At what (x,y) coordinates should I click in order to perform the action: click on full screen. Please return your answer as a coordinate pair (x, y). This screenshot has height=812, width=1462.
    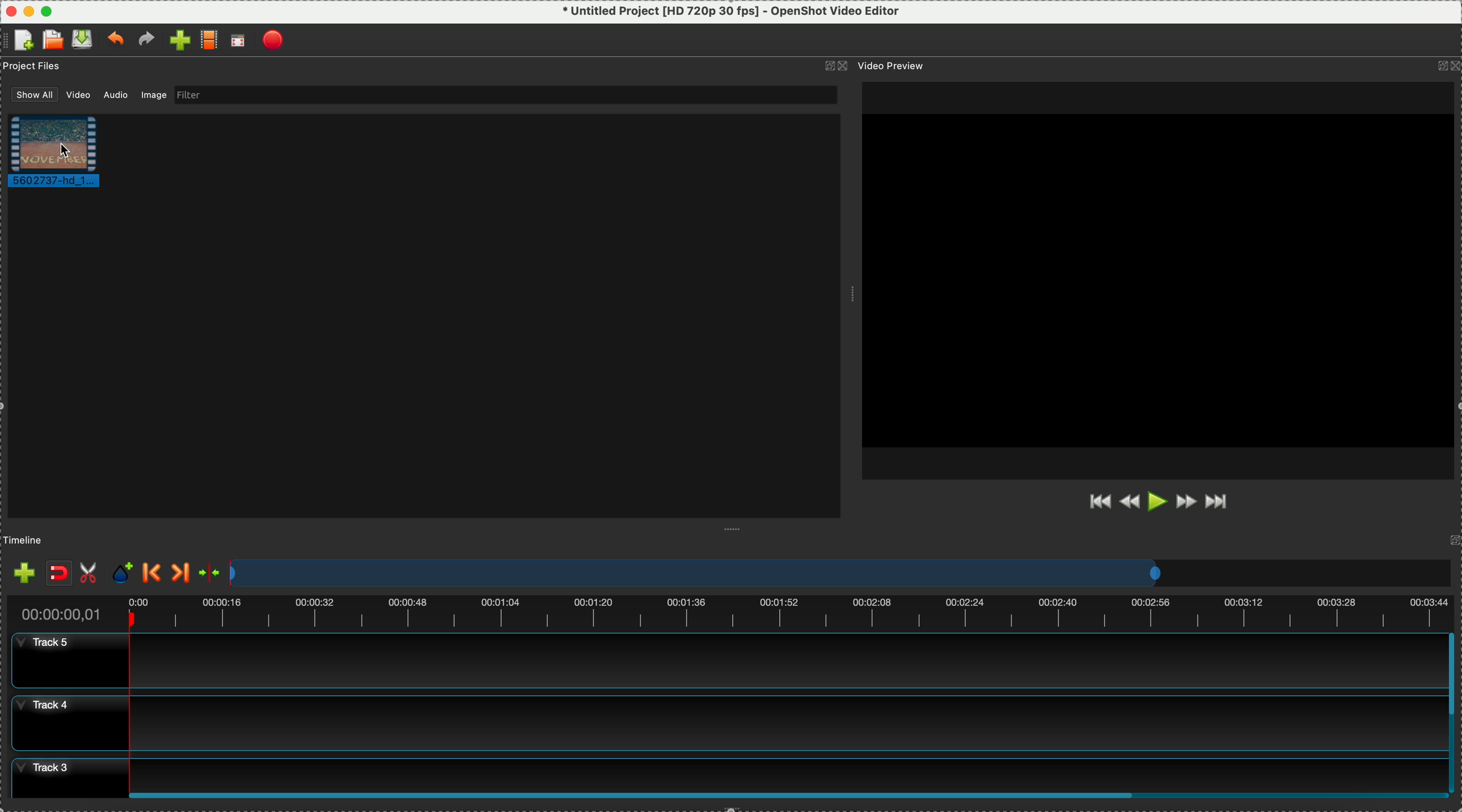
    Looking at the image, I should click on (240, 41).